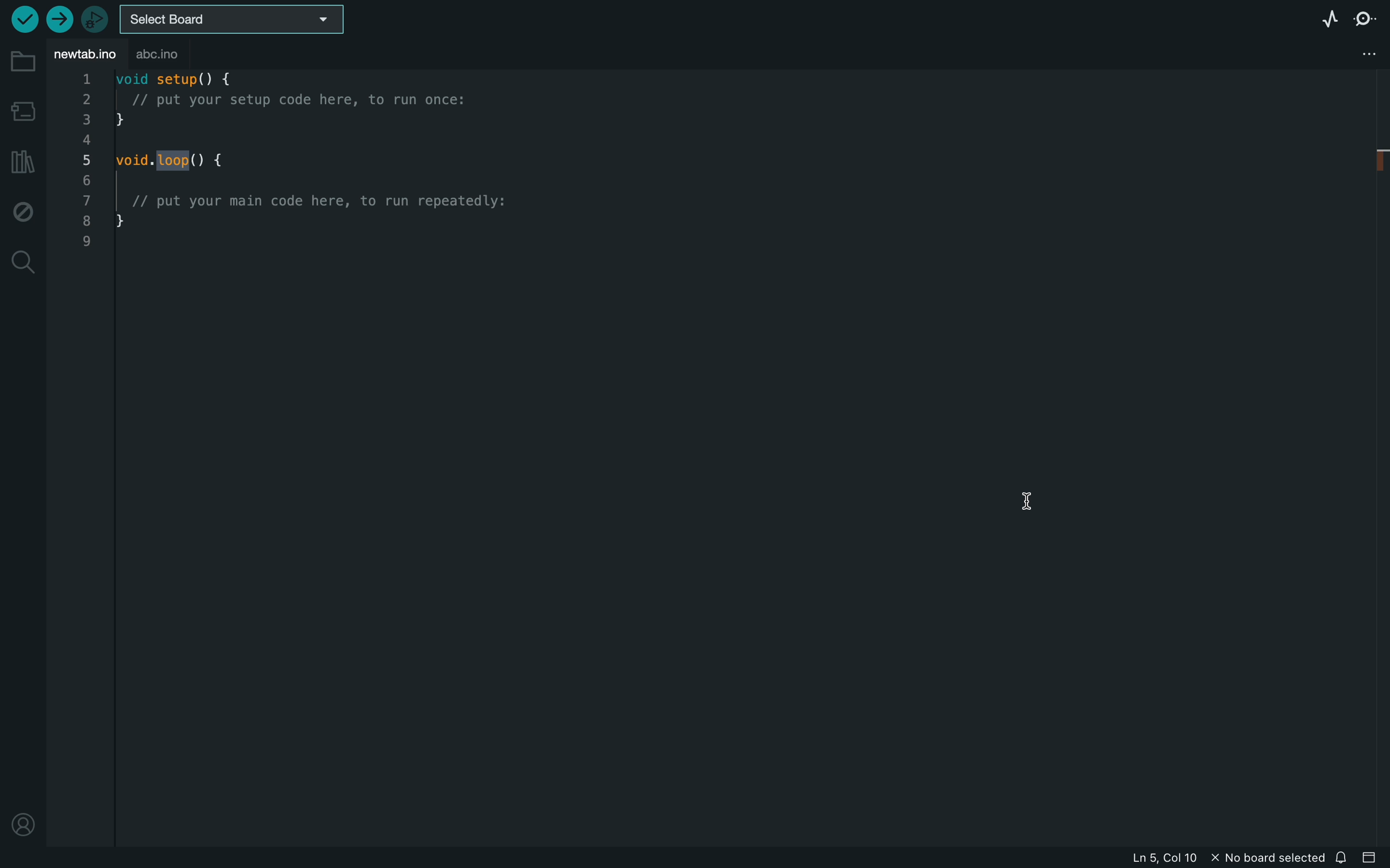 This screenshot has height=868, width=1390. What do you see at coordinates (27, 19) in the screenshot?
I see `verify` at bounding box center [27, 19].